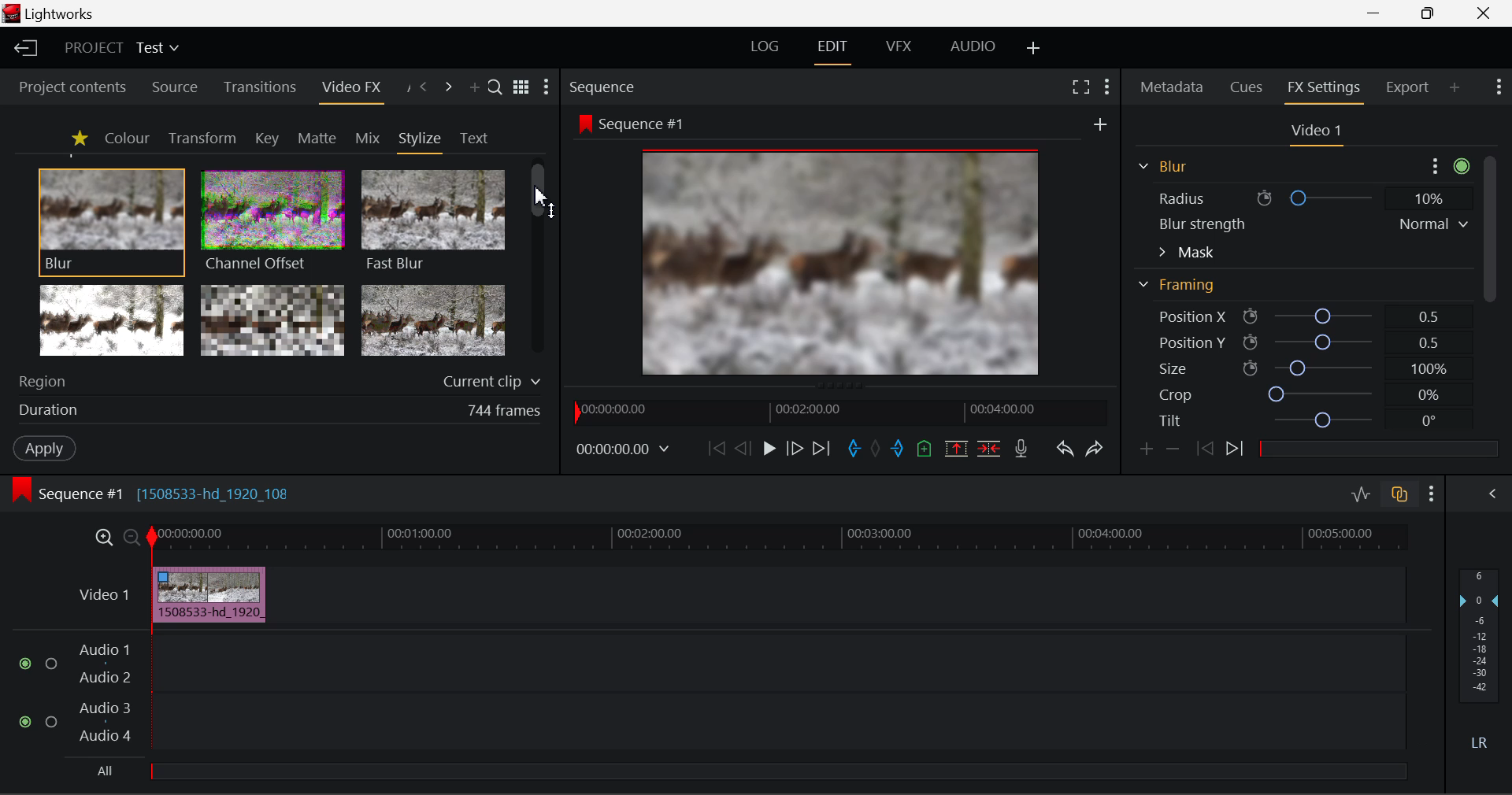 This screenshot has height=795, width=1512. What do you see at coordinates (44, 450) in the screenshot?
I see `Apply` at bounding box center [44, 450].